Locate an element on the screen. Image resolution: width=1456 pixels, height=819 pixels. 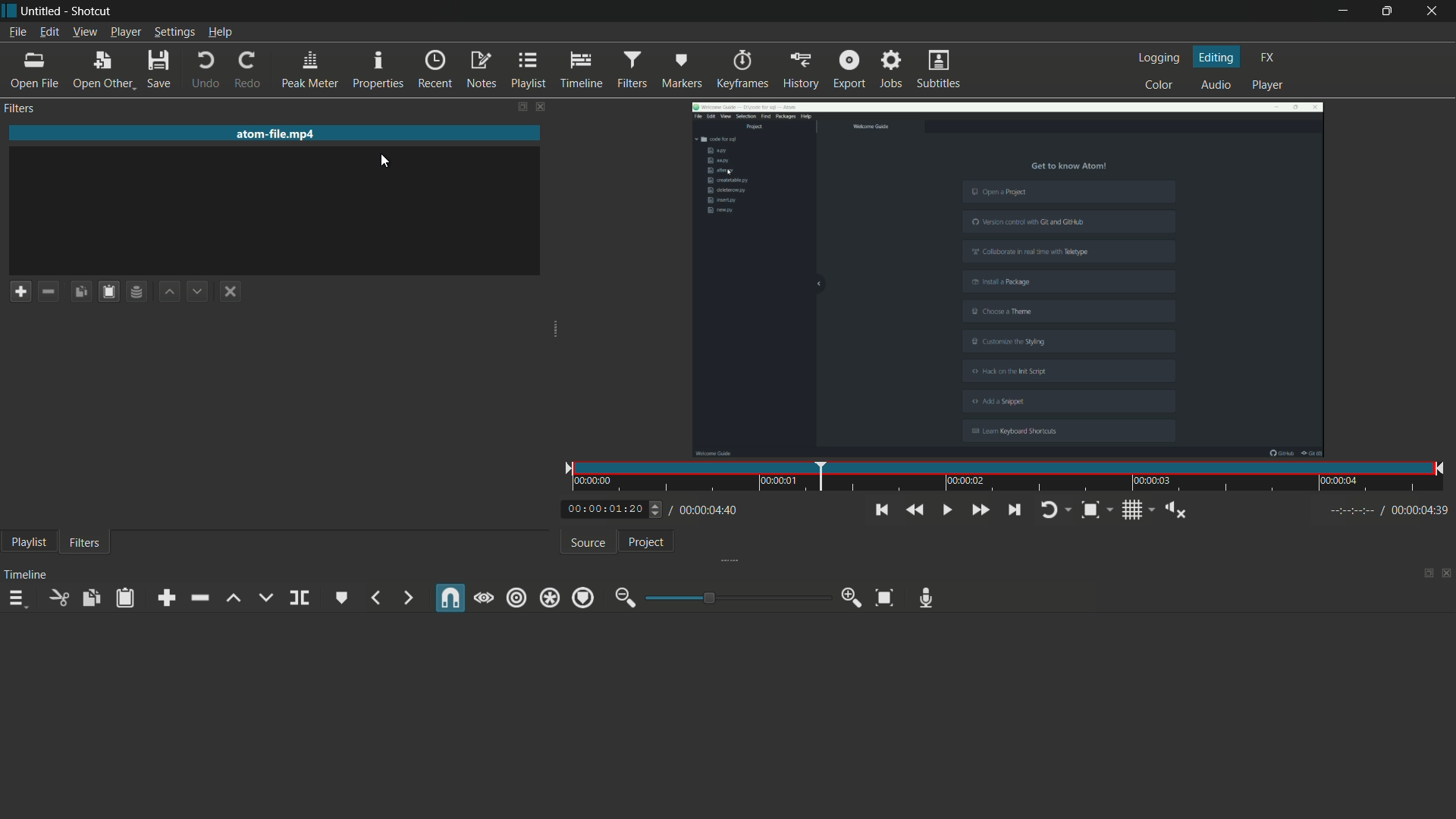
redo is located at coordinates (249, 70).